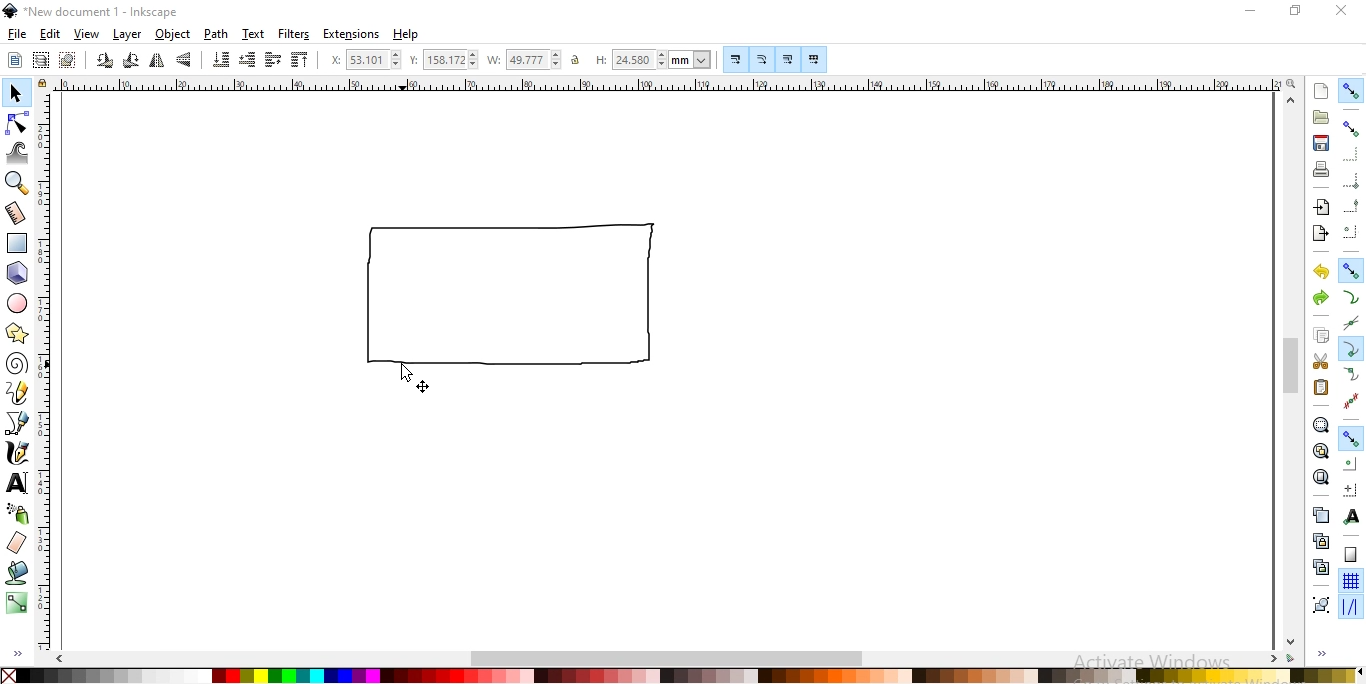 The image size is (1366, 684). Describe the element at coordinates (1352, 204) in the screenshot. I see `snap midpoints of bounding box edges` at that location.